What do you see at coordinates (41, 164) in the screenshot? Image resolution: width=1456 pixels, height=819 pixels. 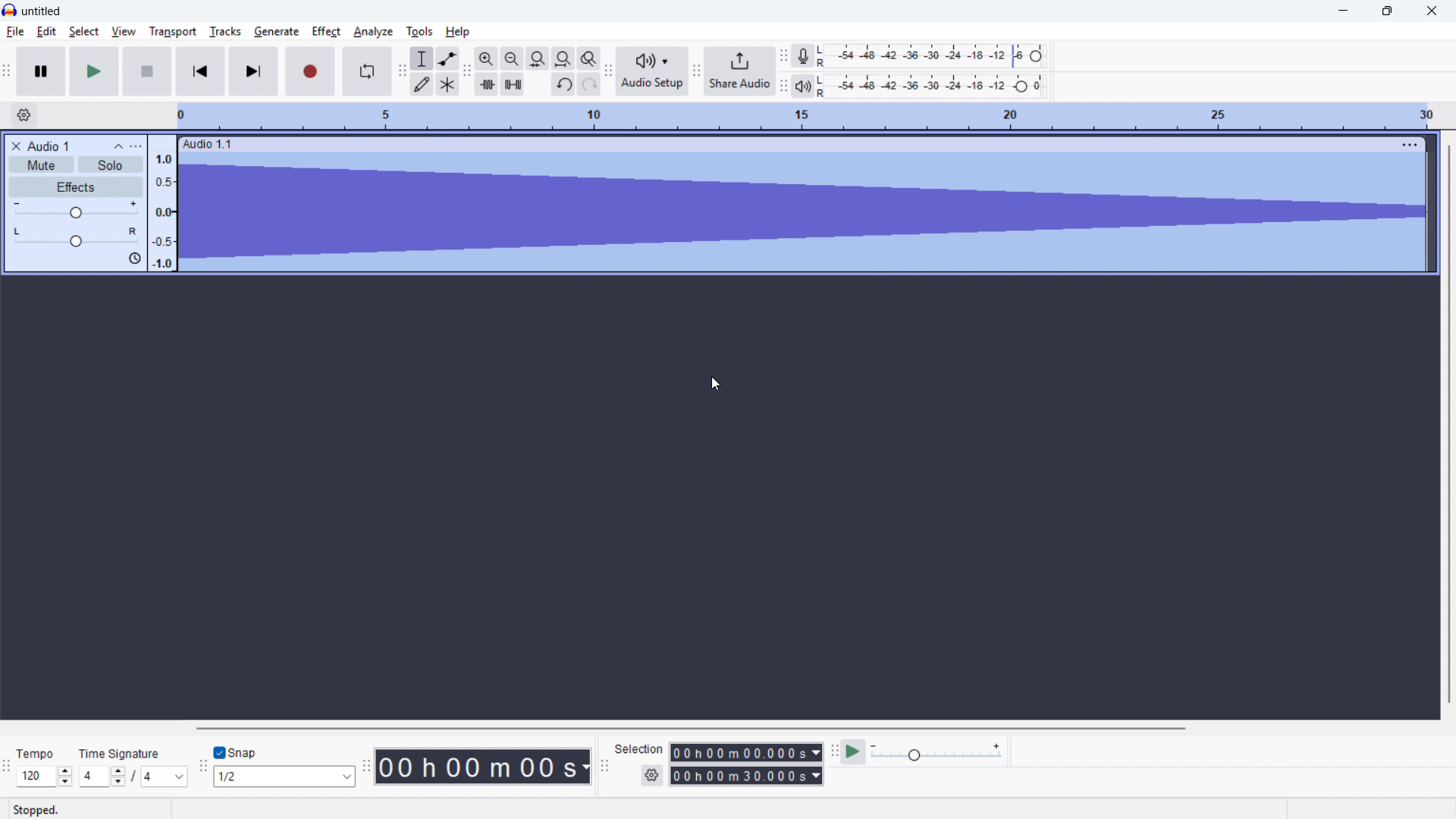 I see `mute ` at bounding box center [41, 164].